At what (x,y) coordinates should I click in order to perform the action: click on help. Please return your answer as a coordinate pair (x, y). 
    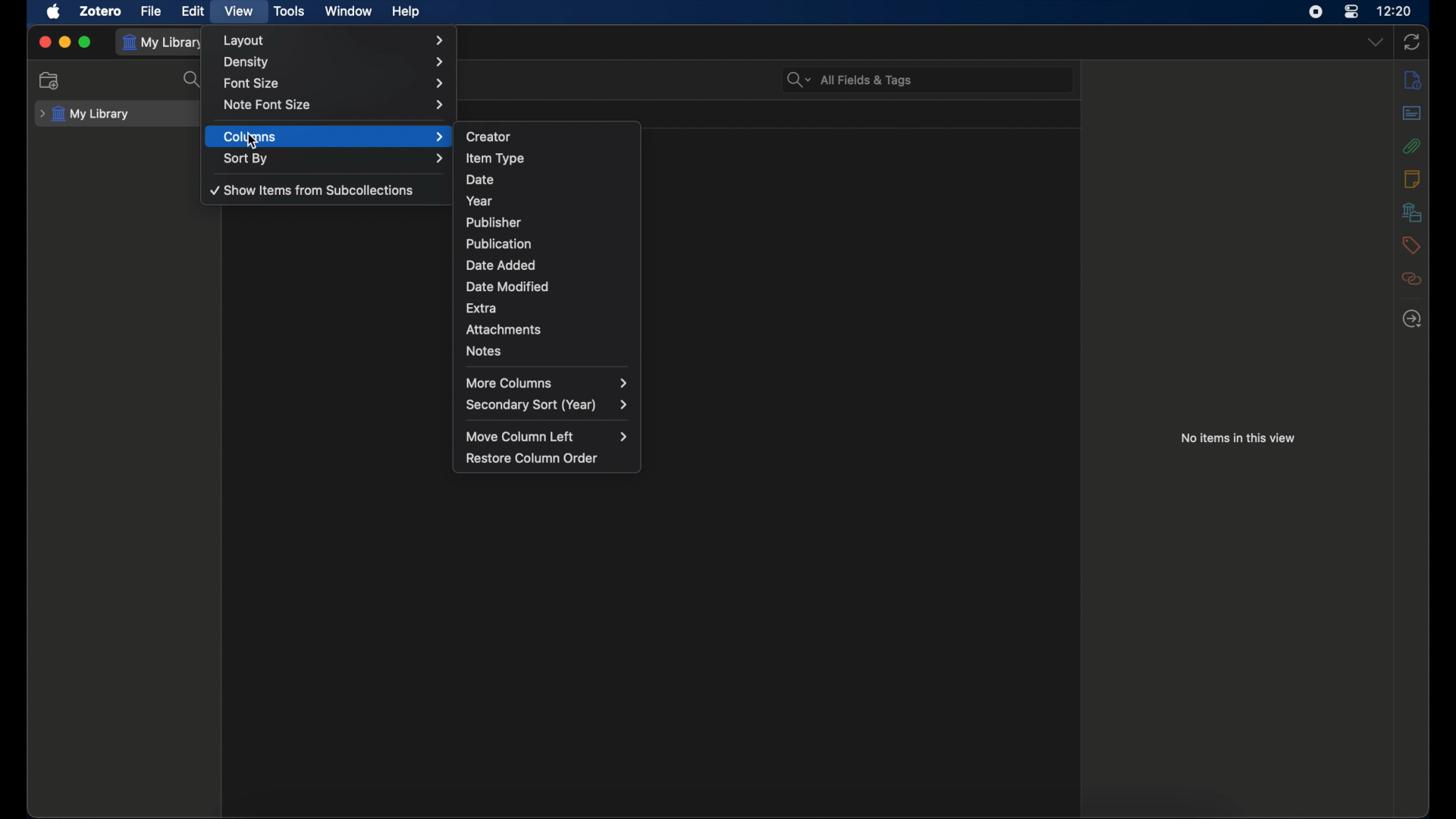
    Looking at the image, I should click on (406, 12).